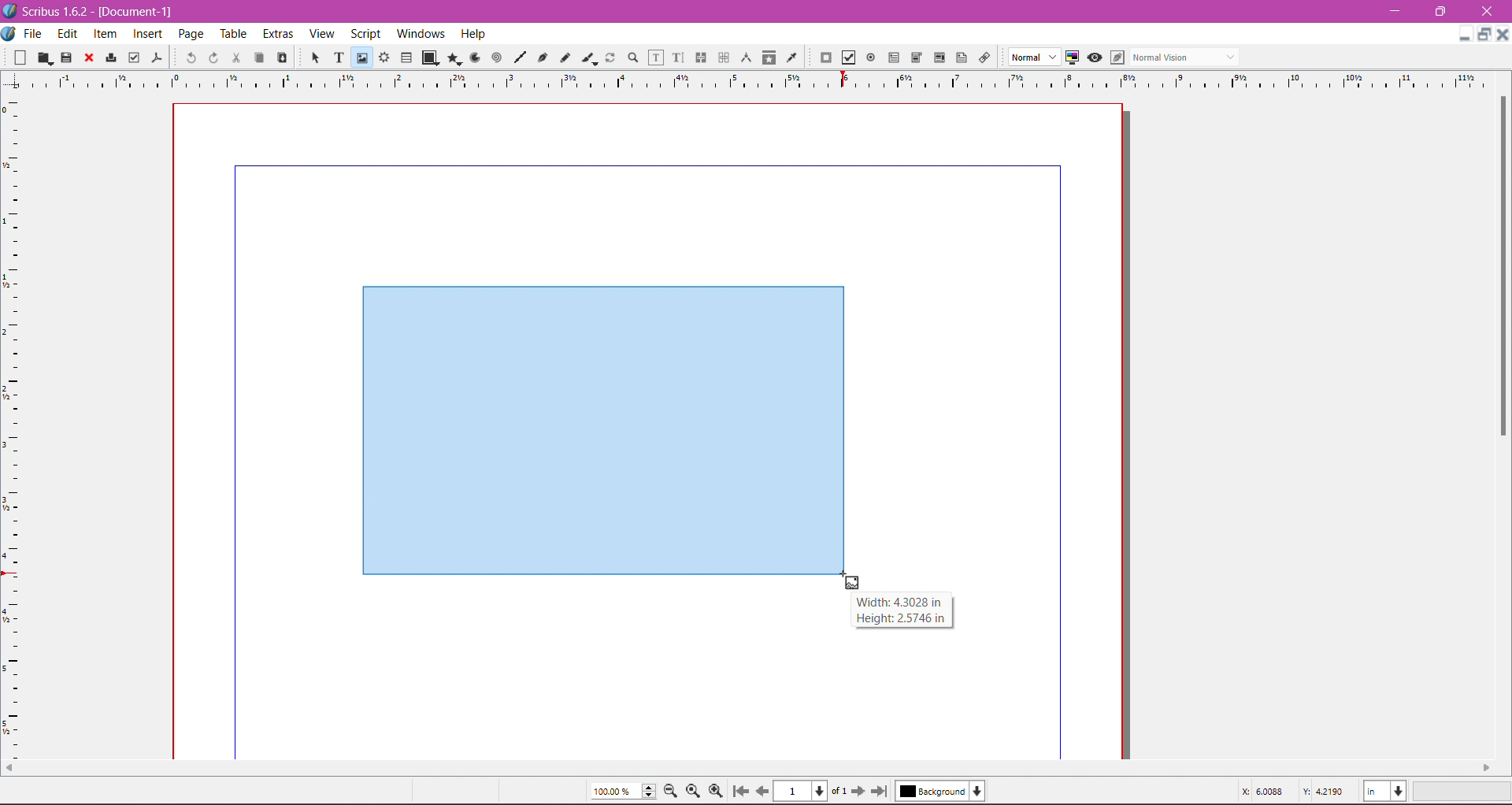  Describe the element at coordinates (235, 35) in the screenshot. I see `Table` at that location.